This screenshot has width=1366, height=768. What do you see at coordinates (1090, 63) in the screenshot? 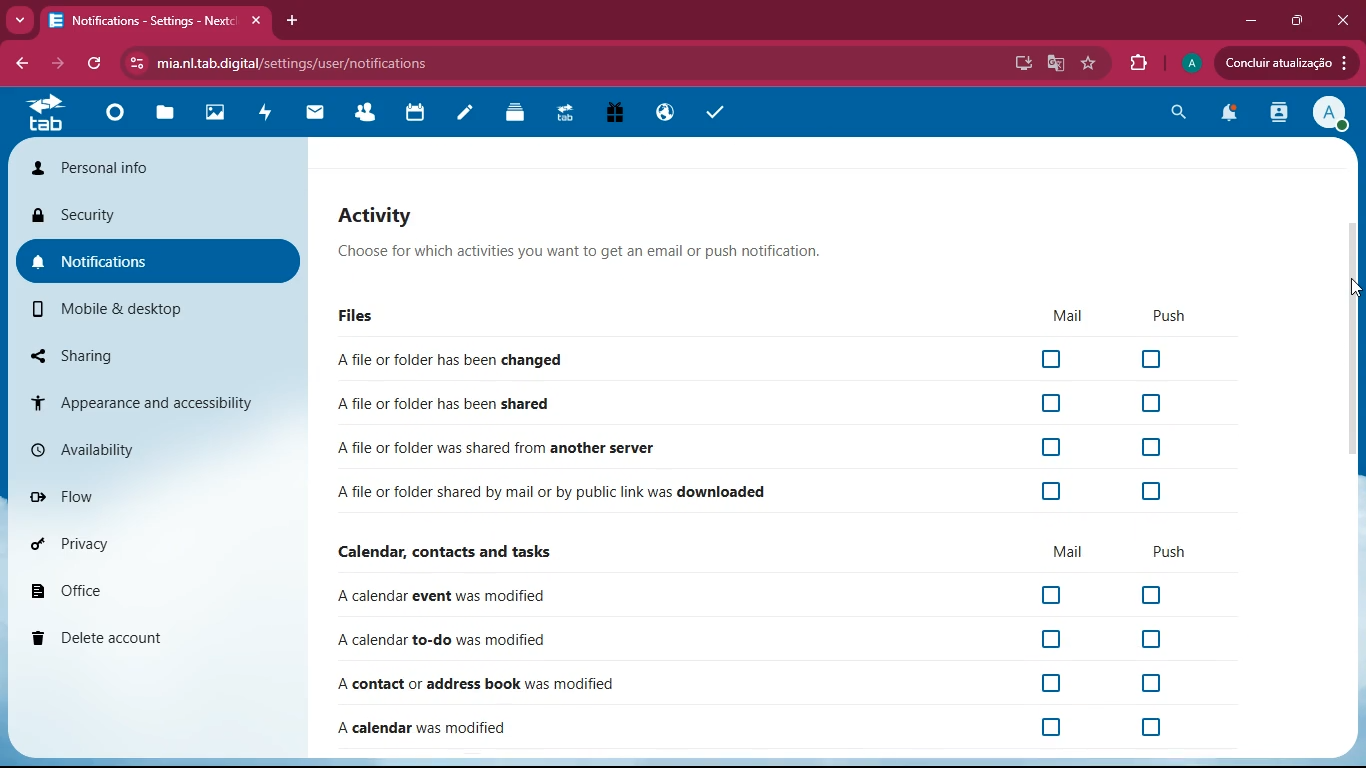
I see `favourite` at bounding box center [1090, 63].